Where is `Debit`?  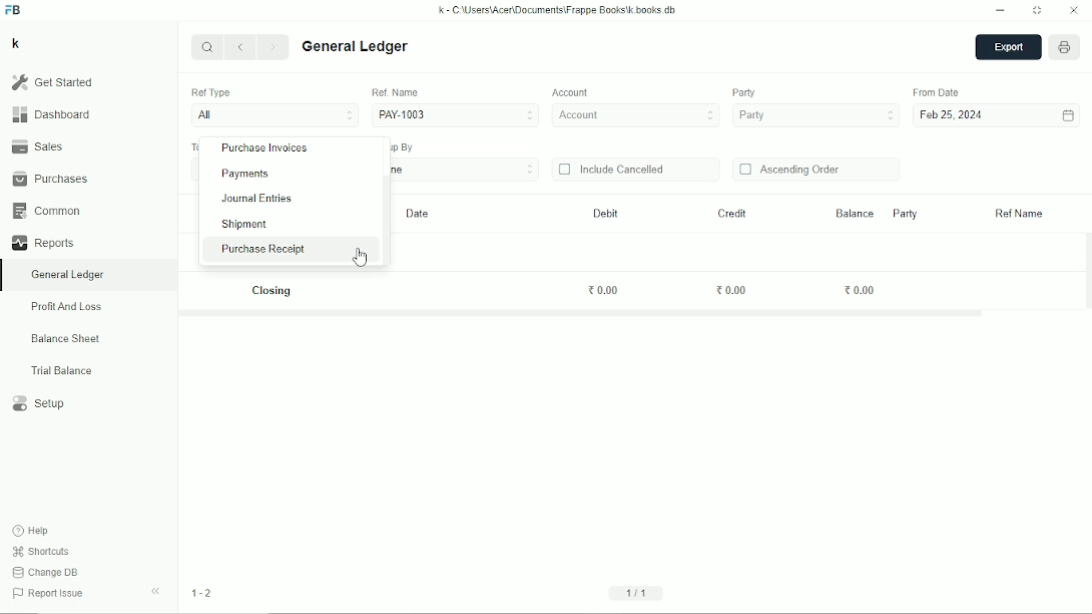 Debit is located at coordinates (606, 213).